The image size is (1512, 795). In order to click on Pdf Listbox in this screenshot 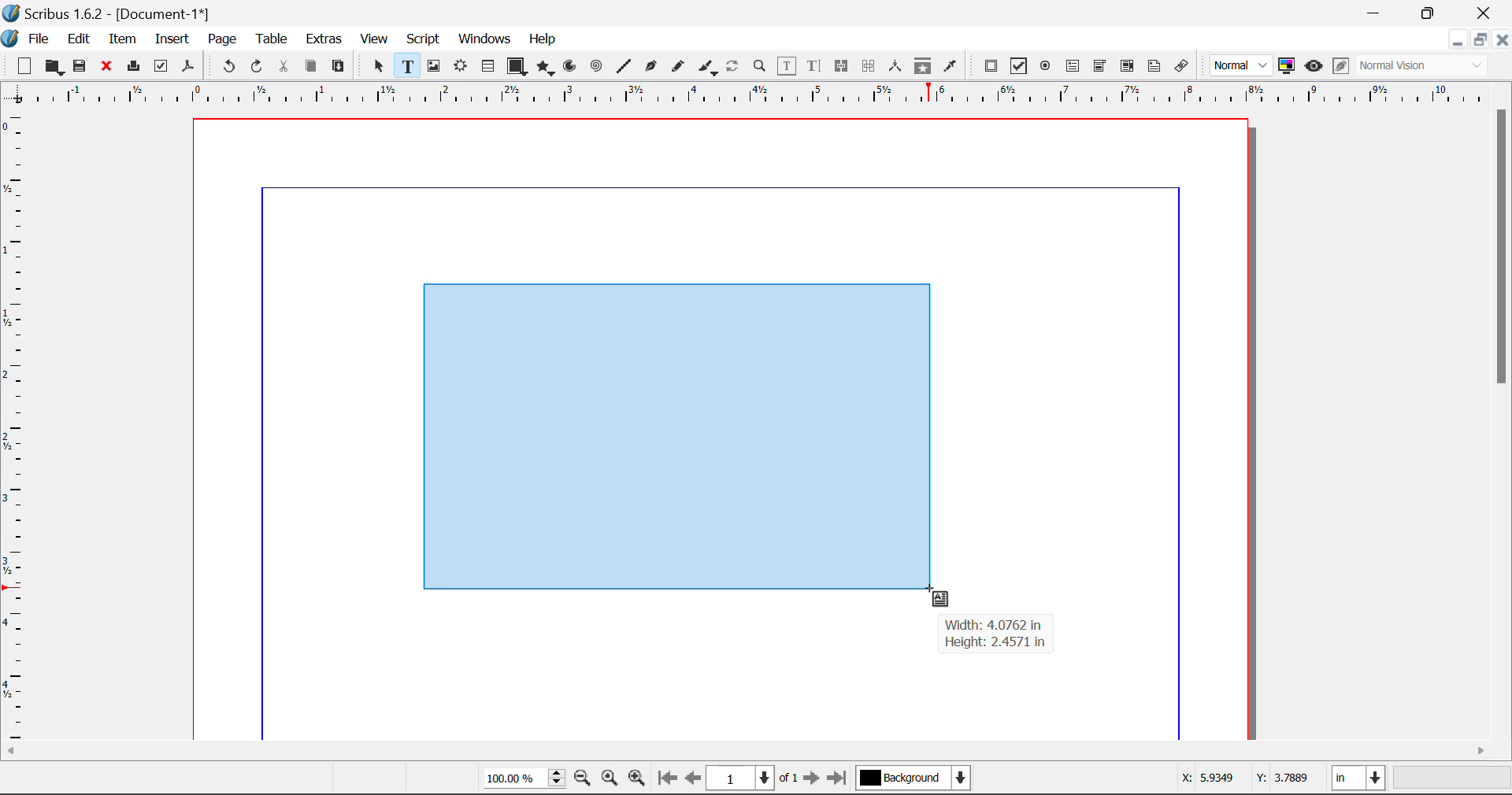, I will do `click(1125, 66)`.